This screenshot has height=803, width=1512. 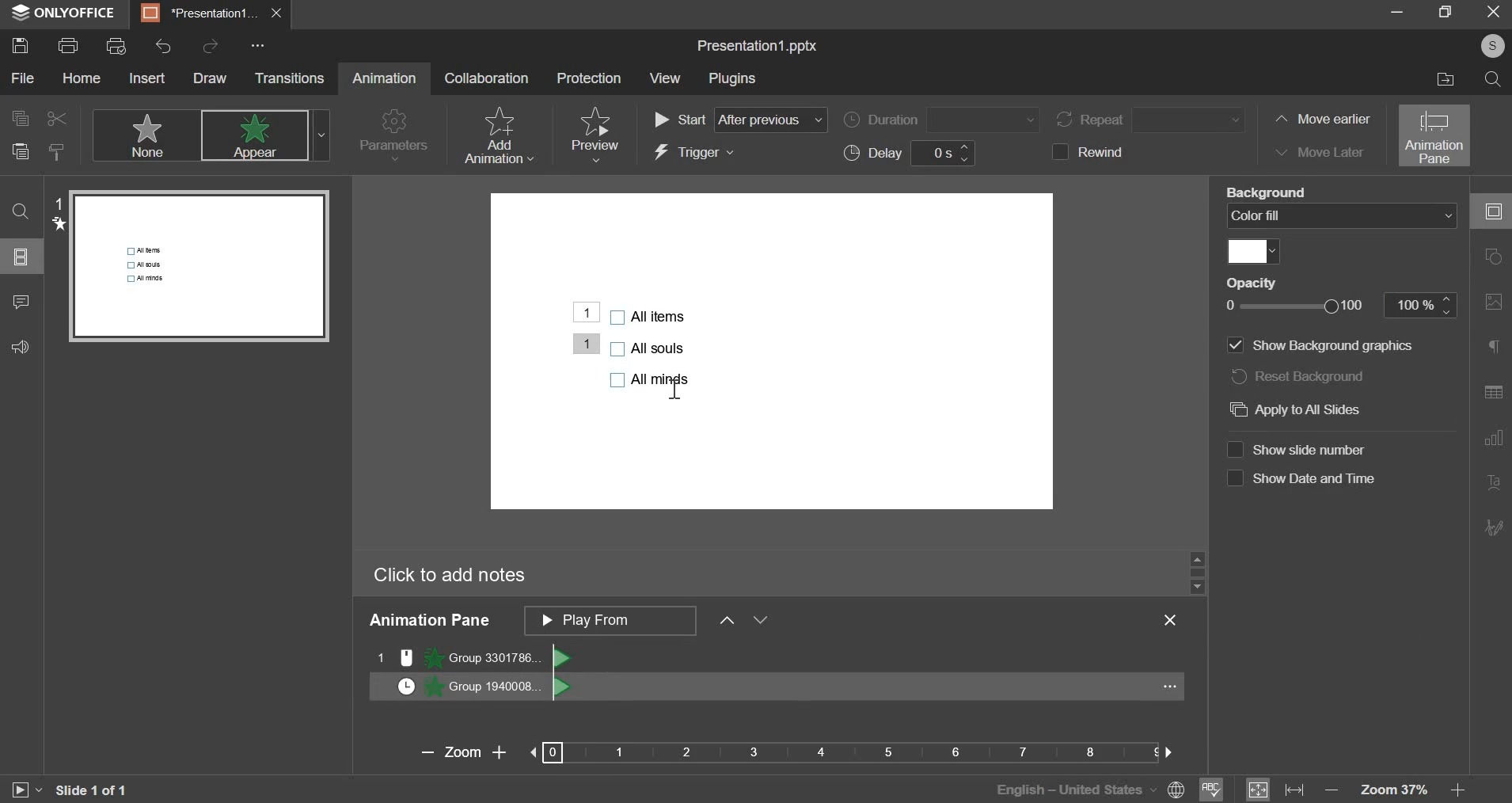 What do you see at coordinates (90, 790) in the screenshot?
I see `slide 1 of 1` at bounding box center [90, 790].